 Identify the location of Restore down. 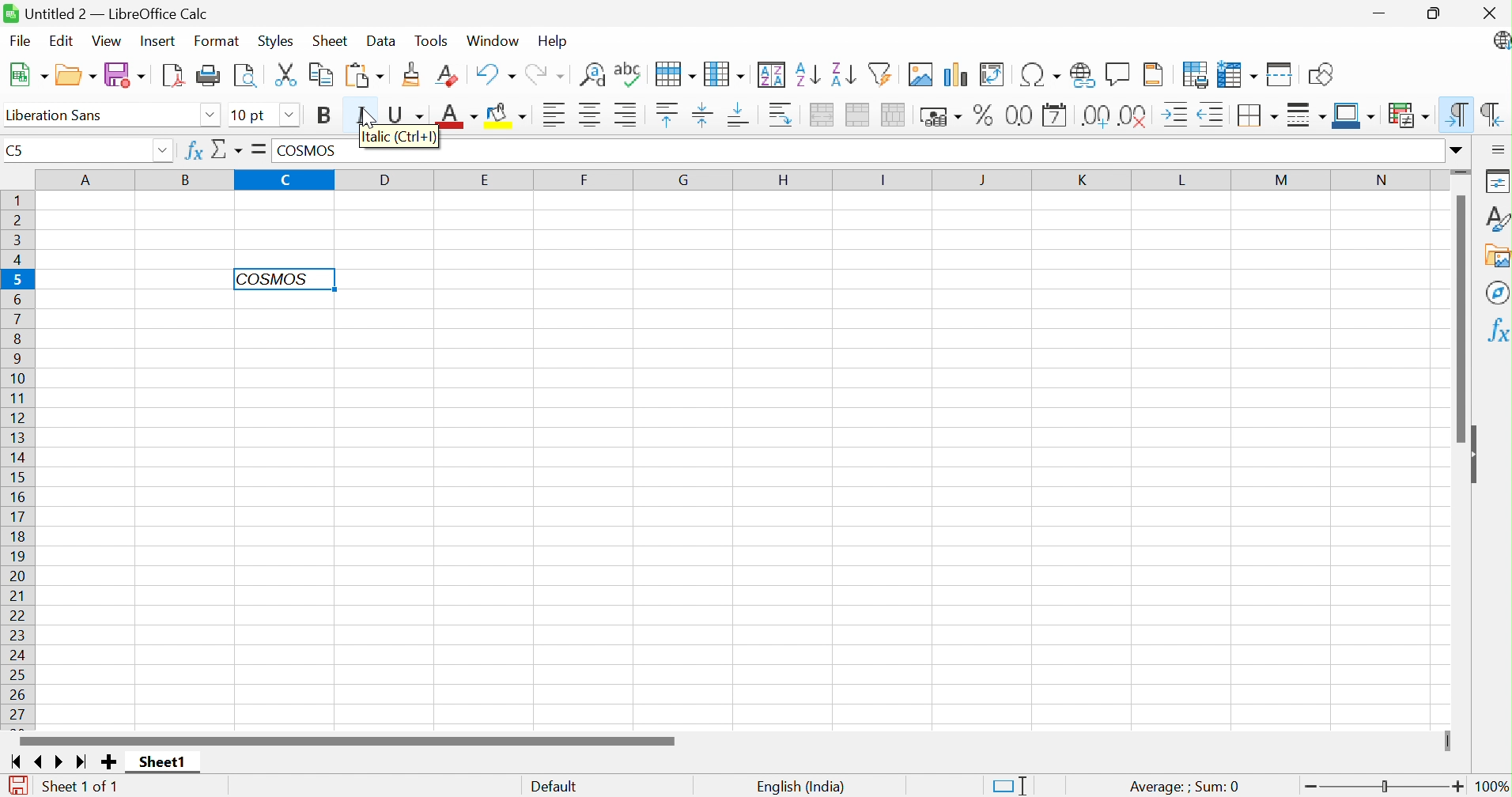
(1438, 14).